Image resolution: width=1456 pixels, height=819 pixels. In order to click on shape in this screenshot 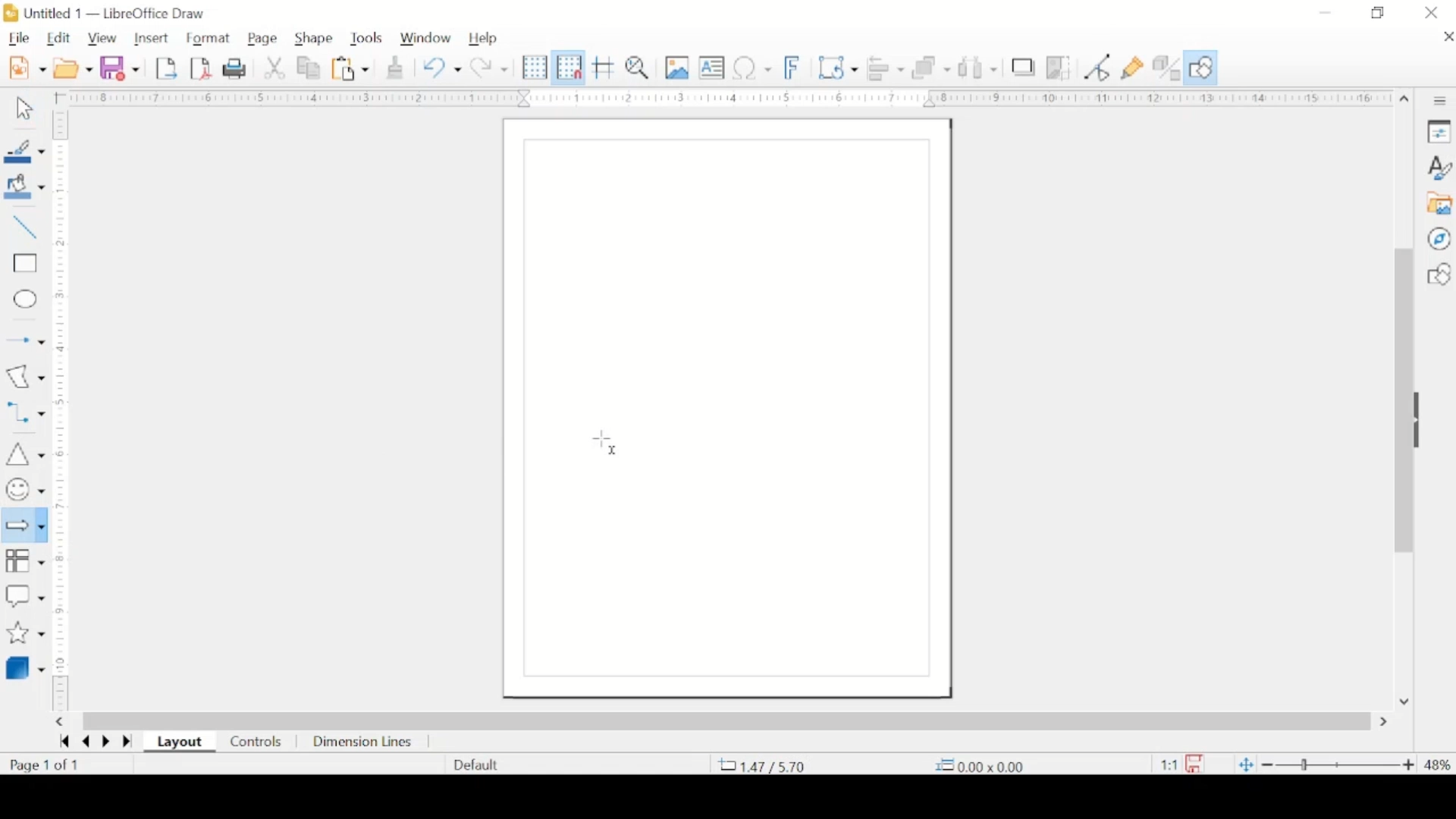, I will do `click(314, 39)`.